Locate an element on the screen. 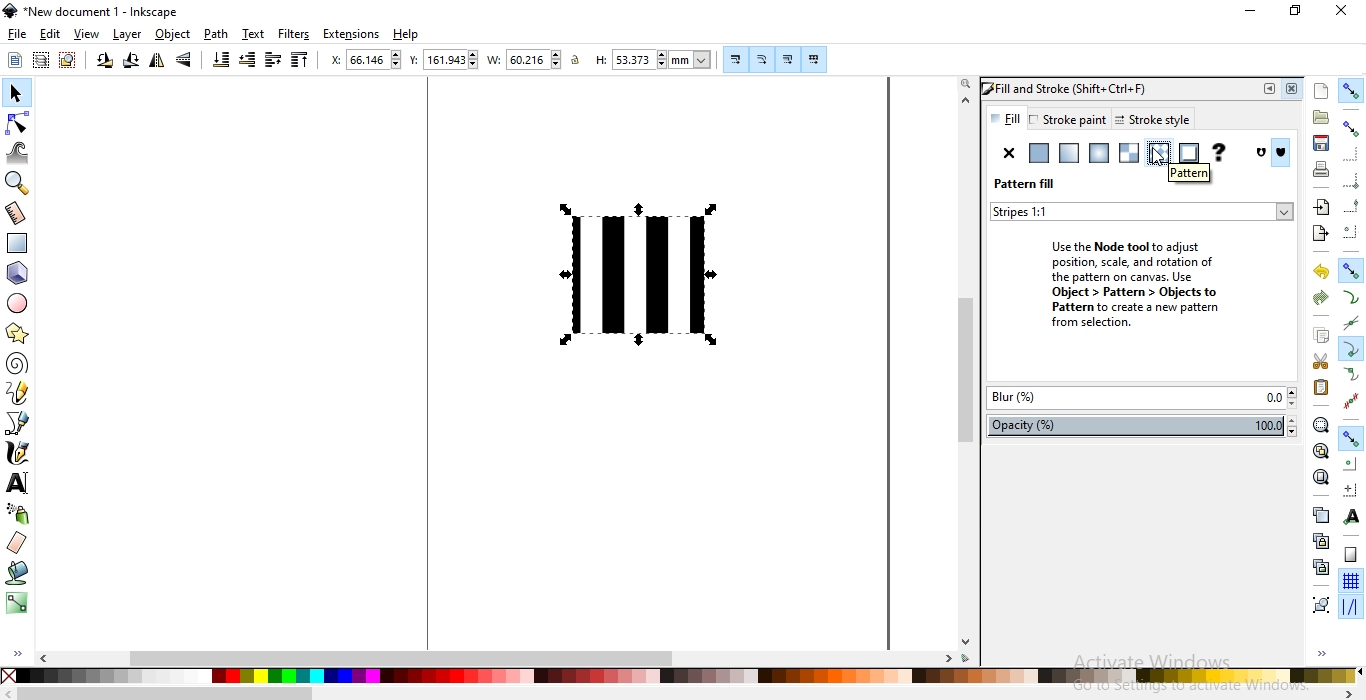 The width and height of the screenshot is (1366, 700). create stars and polygons is located at coordinates (16, 335).